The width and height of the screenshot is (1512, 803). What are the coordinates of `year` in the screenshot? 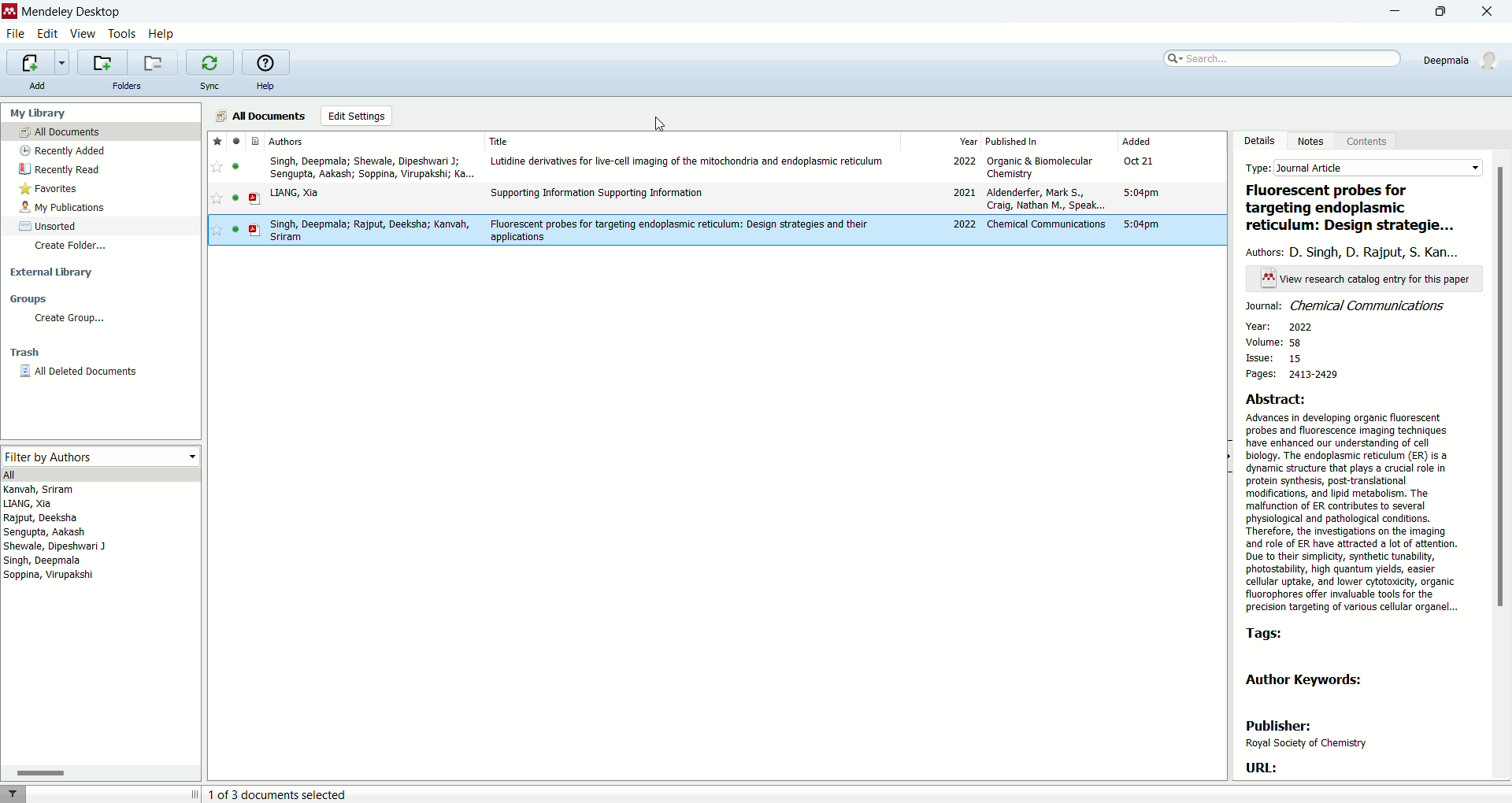 It's located at (942, 140).